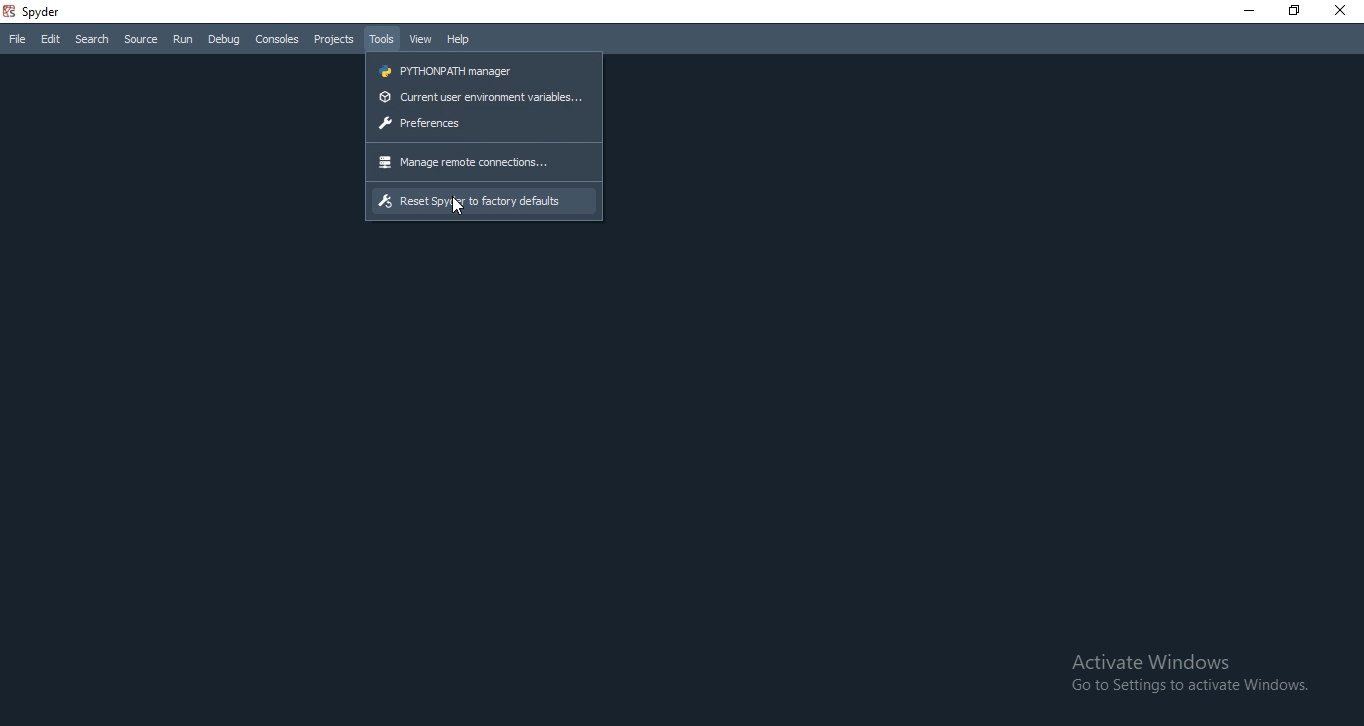 This screenshot has height=726, width=1364. I want to click on current user environment variables, so click(483, 98).